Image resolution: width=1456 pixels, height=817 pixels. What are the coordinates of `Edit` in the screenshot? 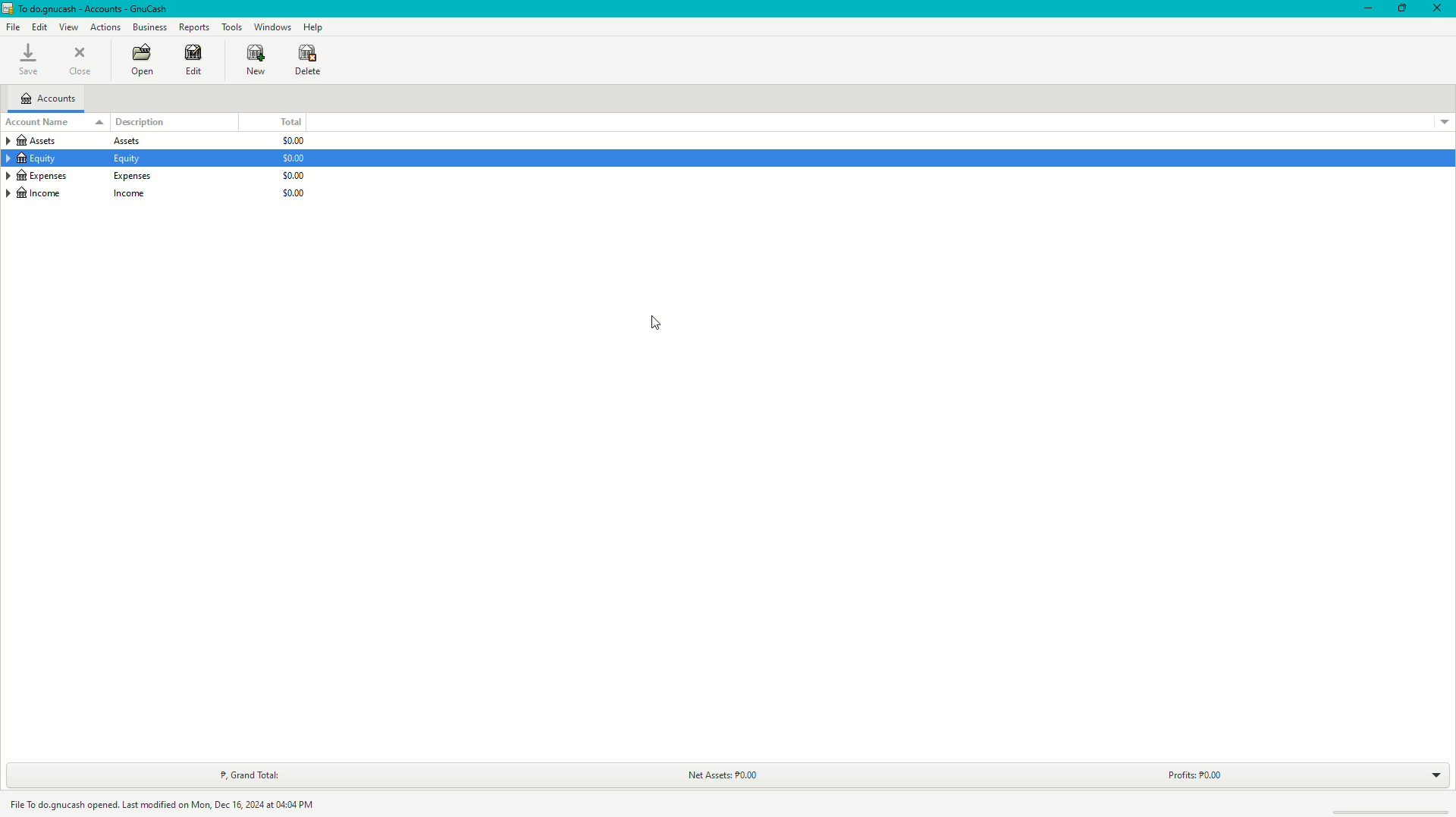 It's located at (193, 61).